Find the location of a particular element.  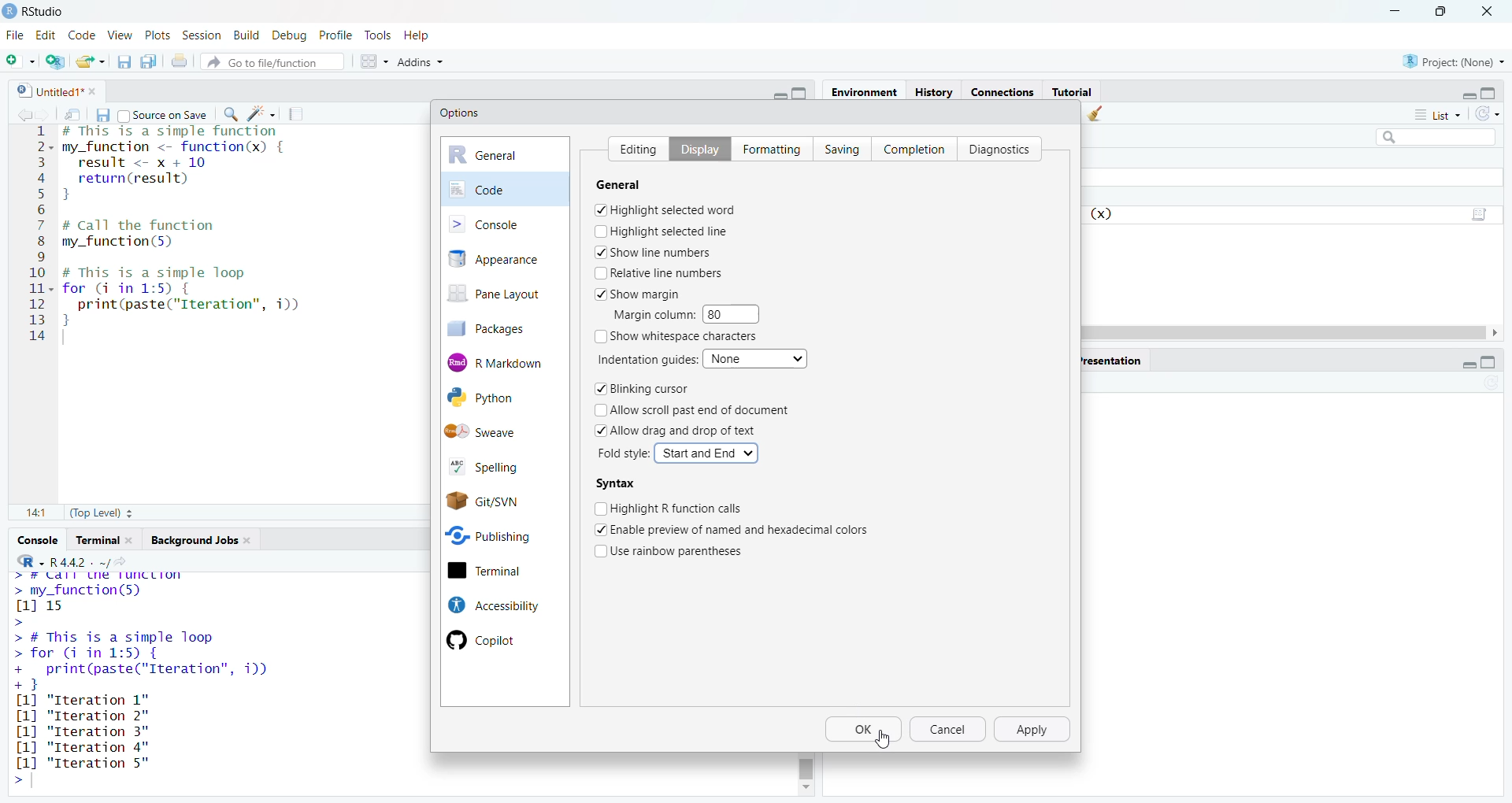

maximize is located at coordinates (1497, 363).